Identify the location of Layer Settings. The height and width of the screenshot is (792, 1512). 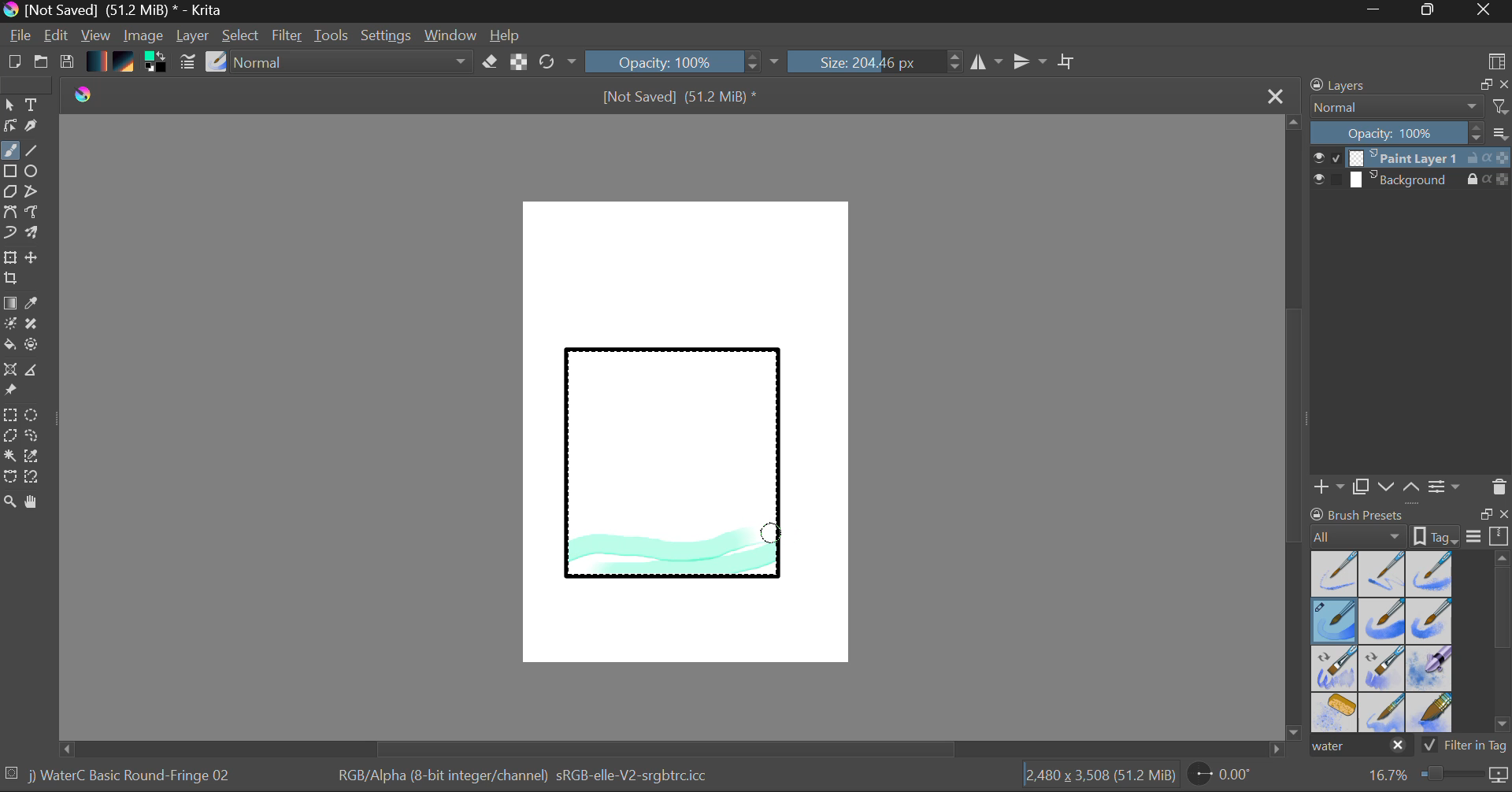
(1445, 486).